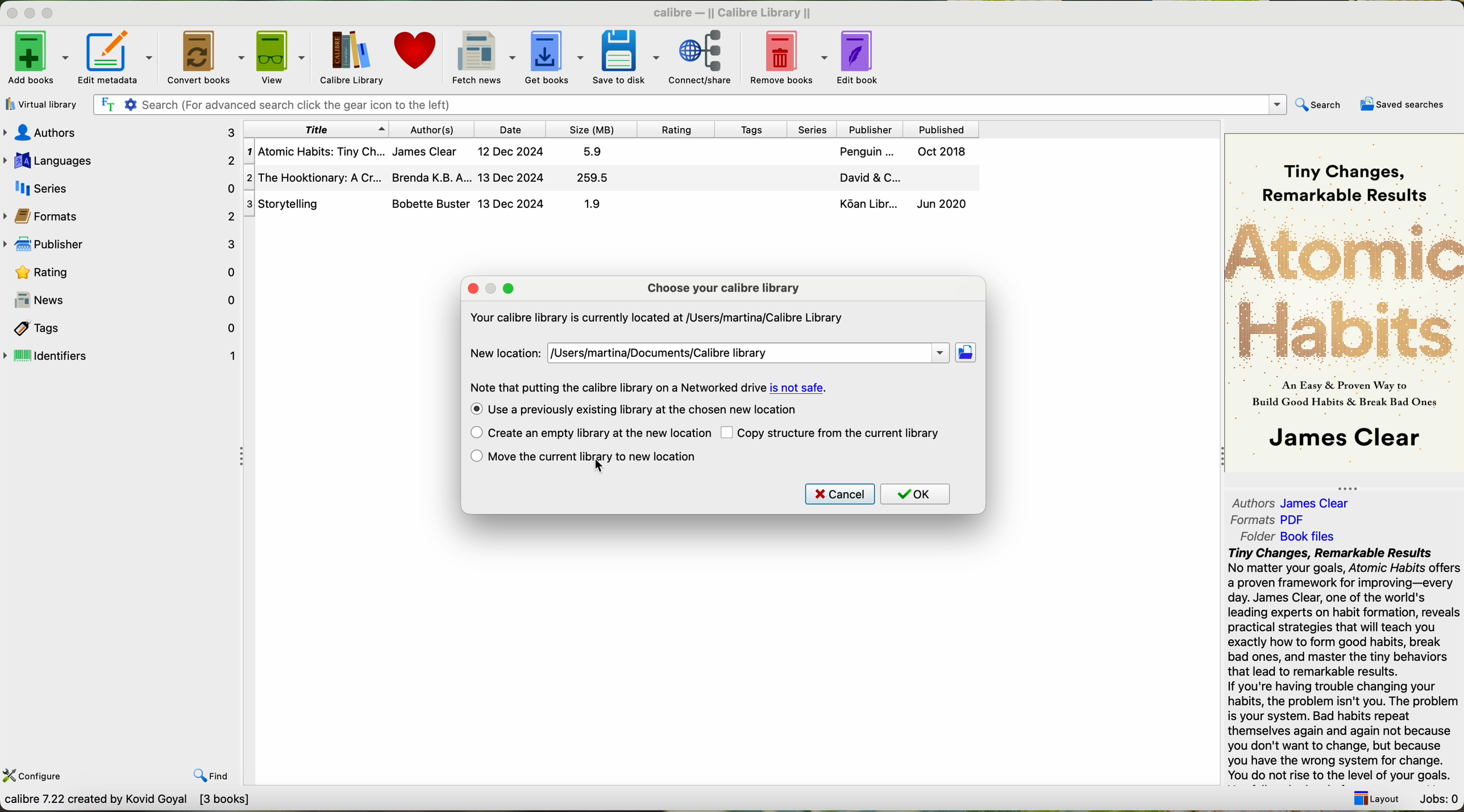 The width and height of the screenshot is (1464, 812). What do you see at coordinates (510, 288) in the screenshot?
I see `maximize window` at bounding box center [510, 288].